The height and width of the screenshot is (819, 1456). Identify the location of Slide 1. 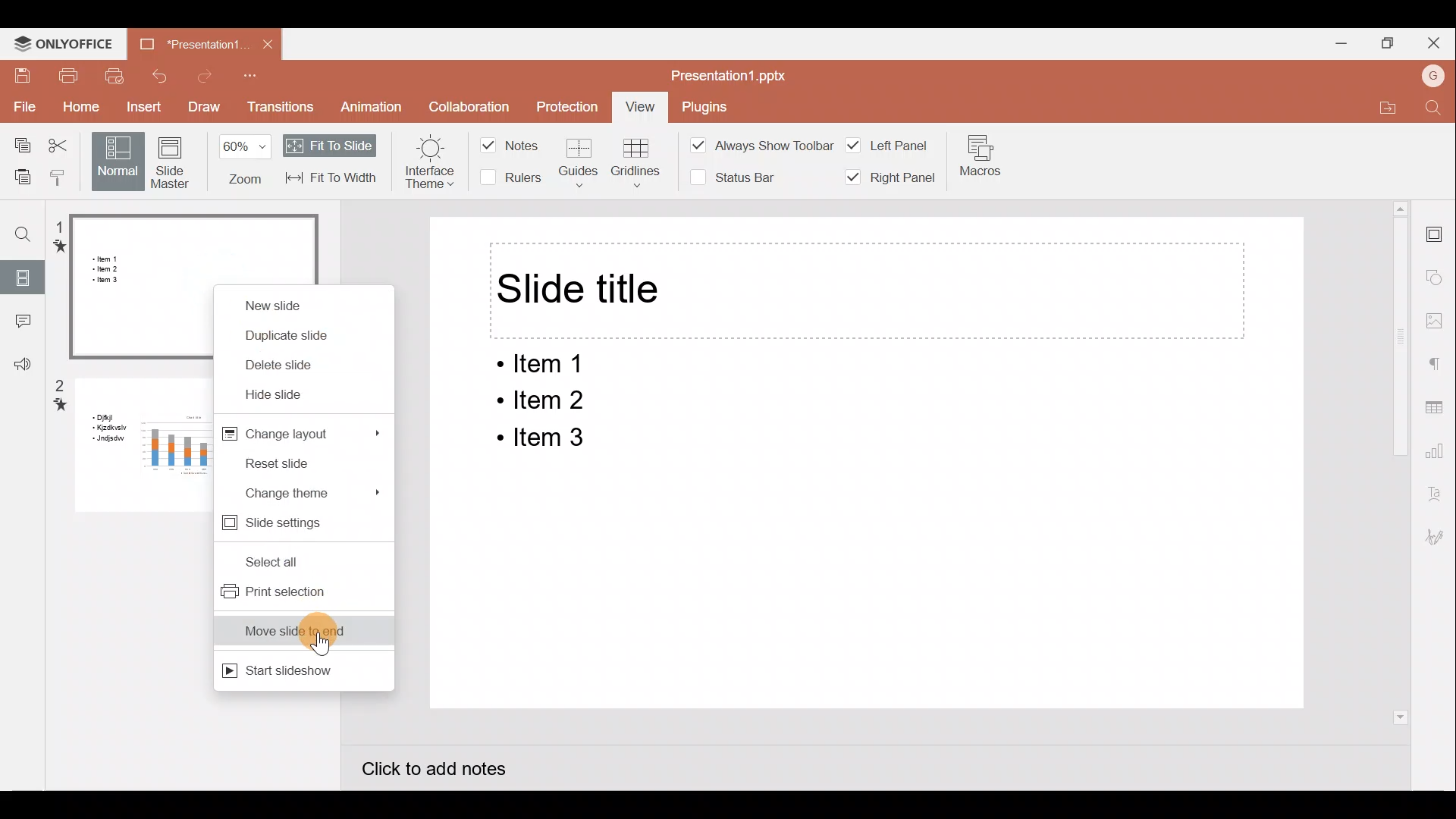
(129, 287).